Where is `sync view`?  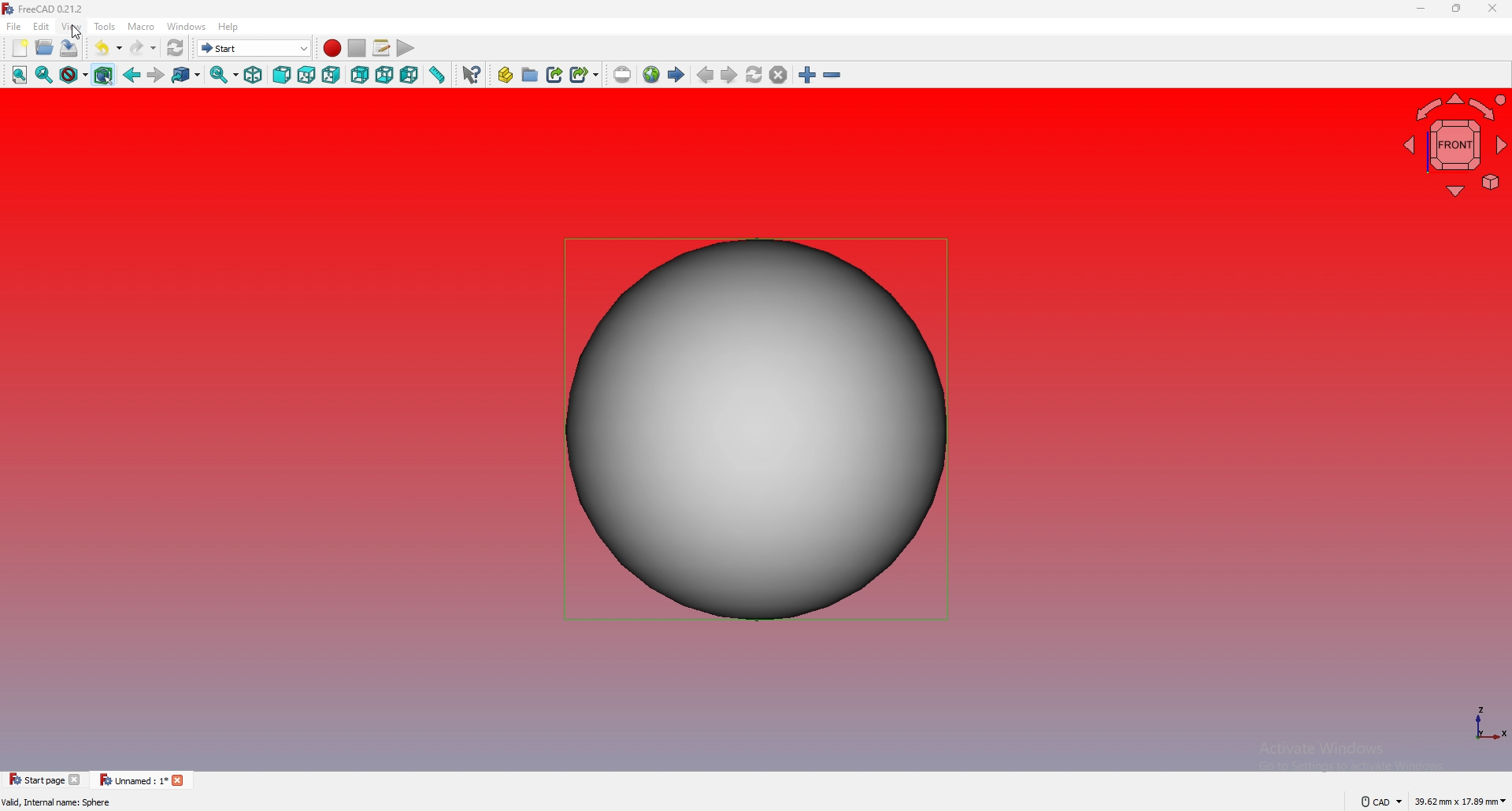 sync view is located at coordinates (224, 76).